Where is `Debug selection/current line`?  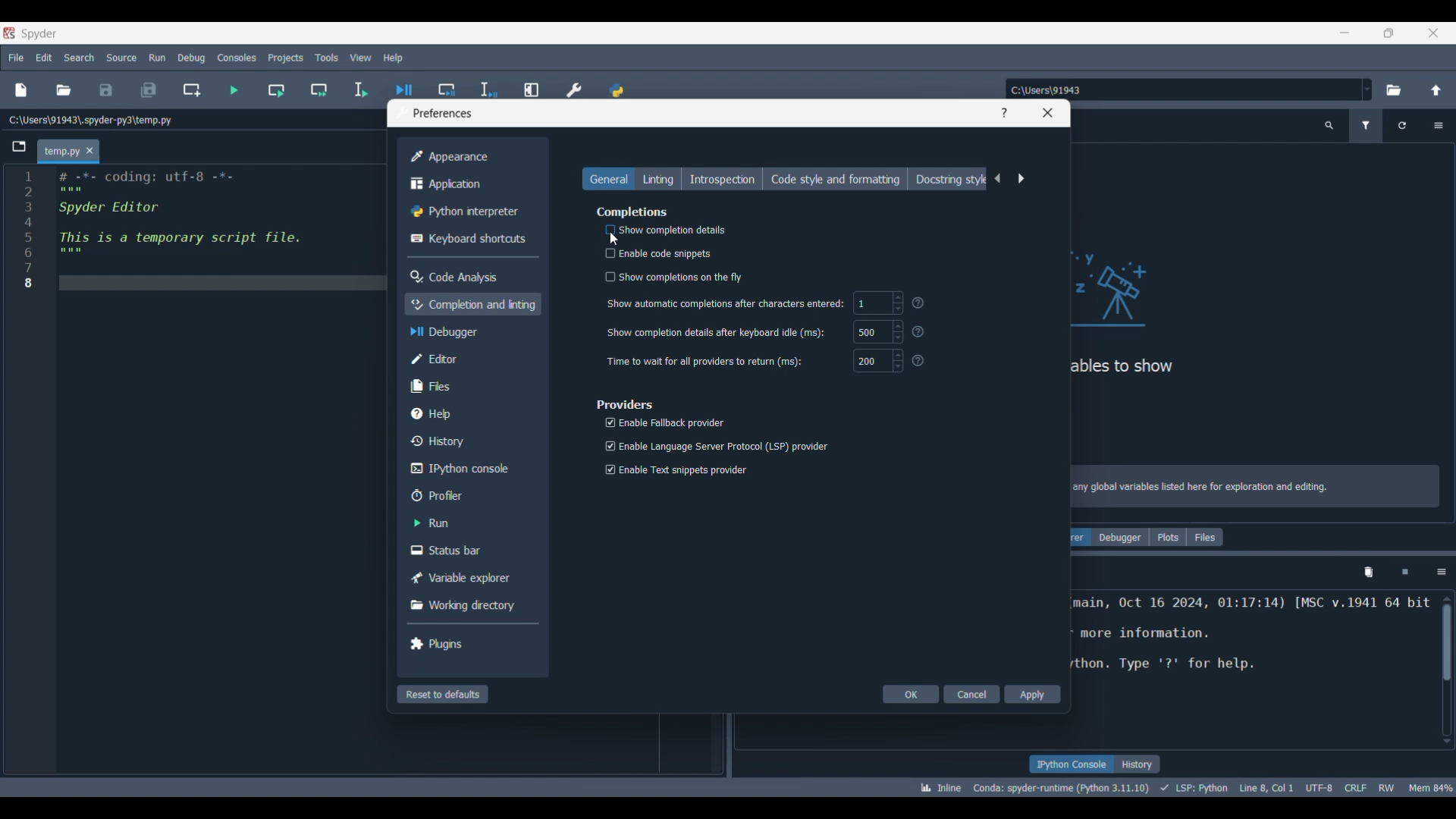 Debug selection/current line is located at coordinates (488, 86).